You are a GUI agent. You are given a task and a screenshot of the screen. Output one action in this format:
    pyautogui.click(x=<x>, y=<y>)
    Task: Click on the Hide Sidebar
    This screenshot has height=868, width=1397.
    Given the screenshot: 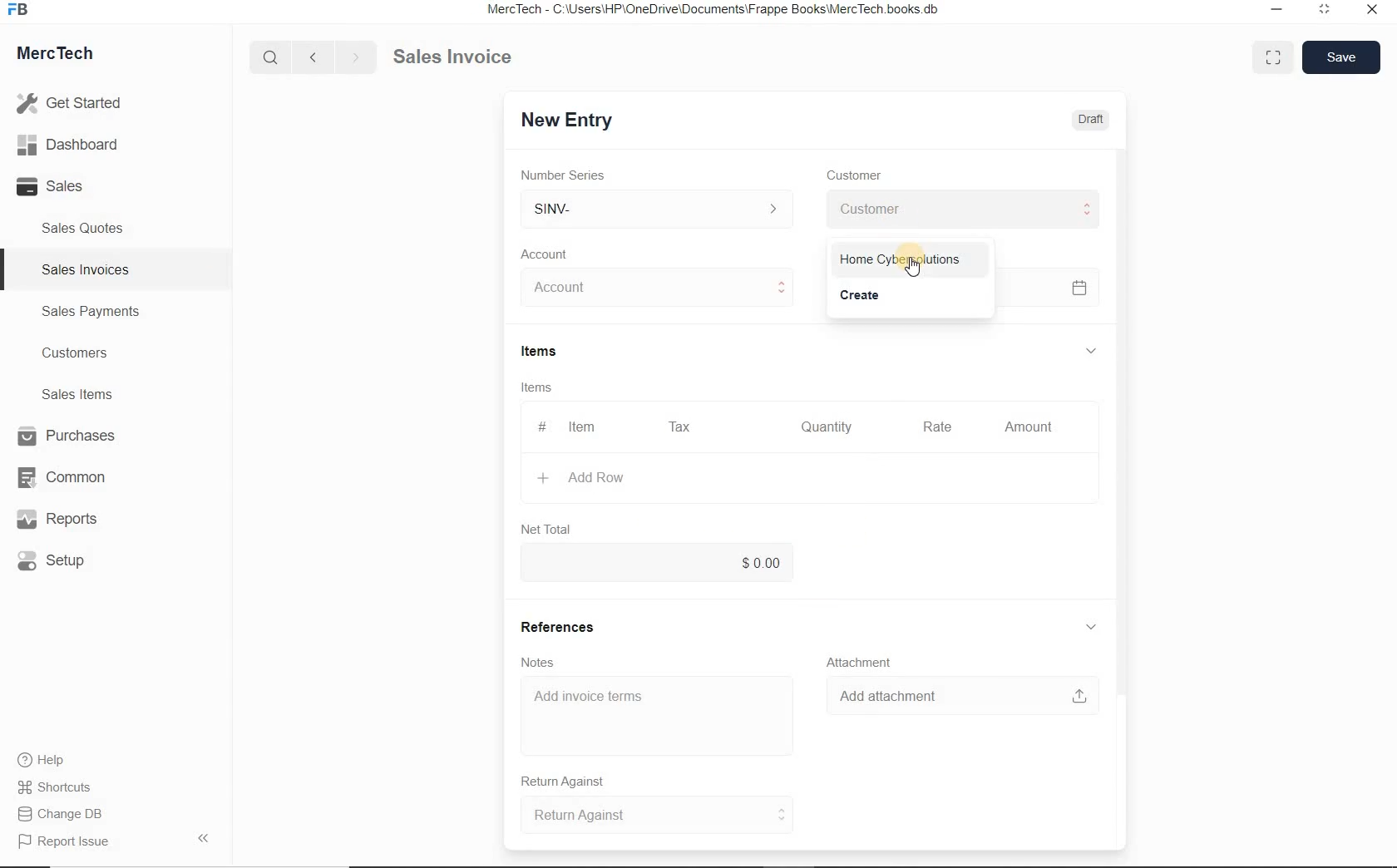 What is the action you would take?
    pyautogui.click(x=202, y=837)
    